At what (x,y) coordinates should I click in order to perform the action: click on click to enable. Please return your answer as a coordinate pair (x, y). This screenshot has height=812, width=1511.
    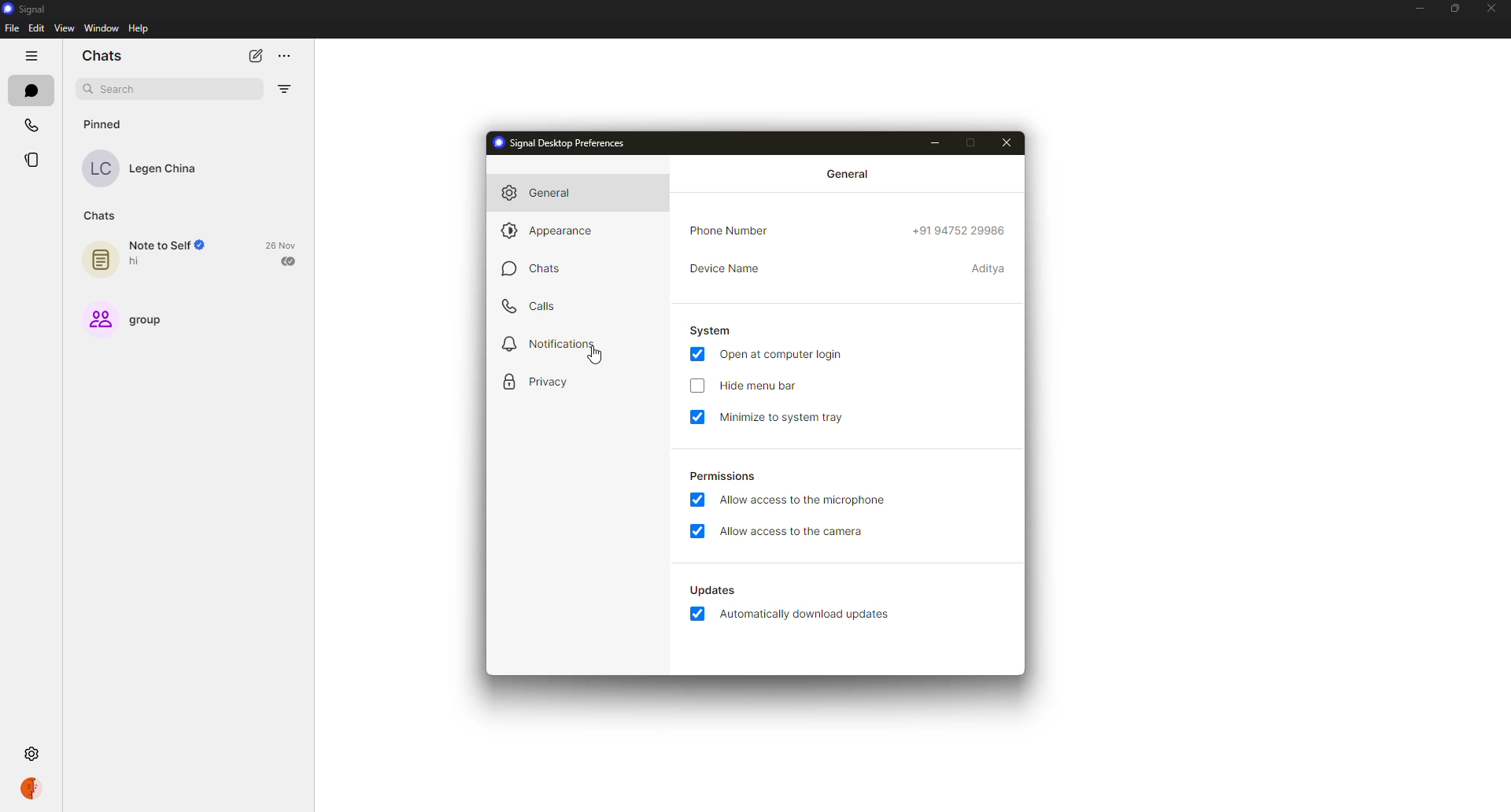
    Looking at the image, I should click on (694, 385).